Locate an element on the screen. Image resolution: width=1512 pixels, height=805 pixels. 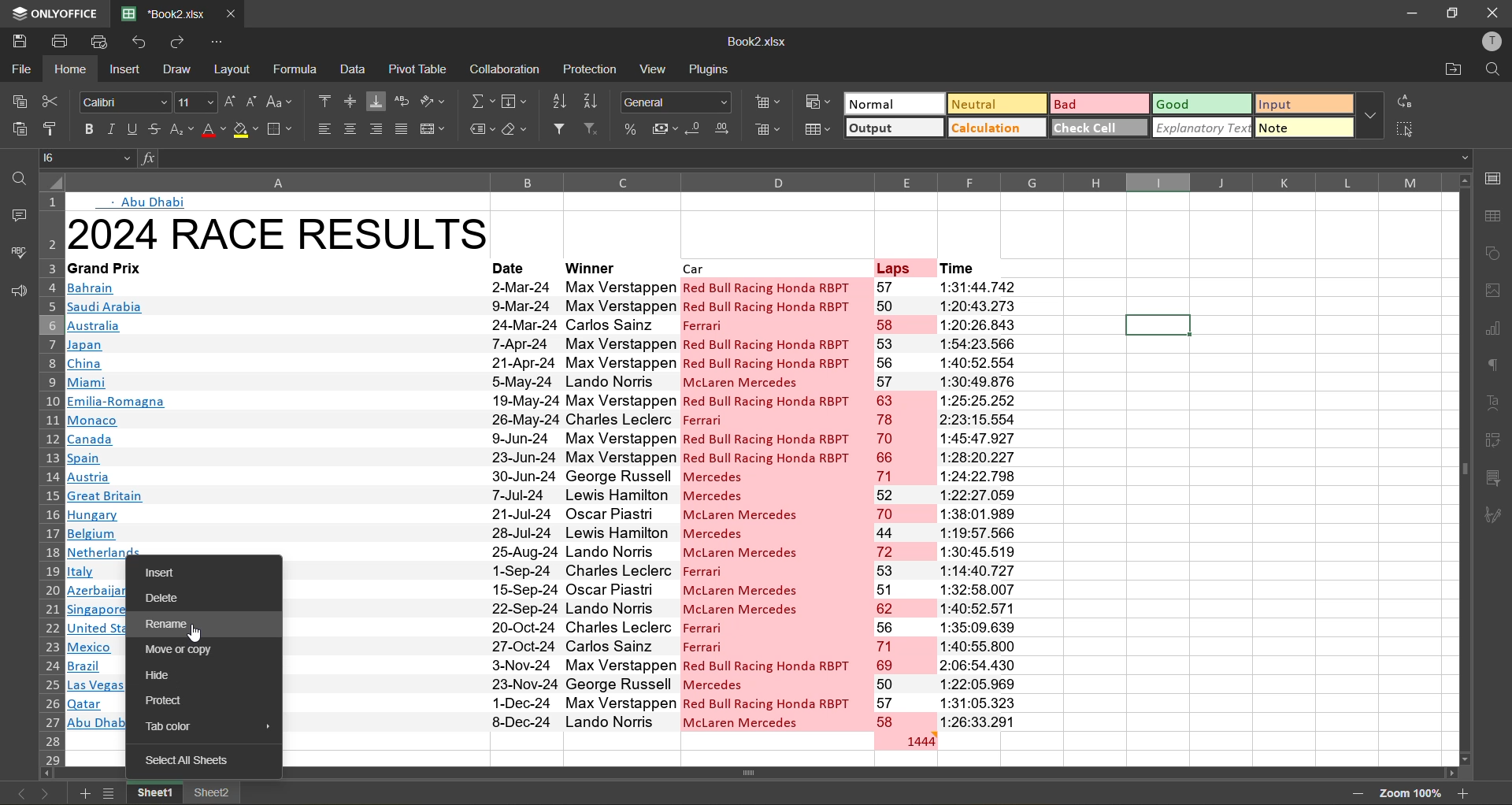
spellcheck is located at coordinates (17, 254).